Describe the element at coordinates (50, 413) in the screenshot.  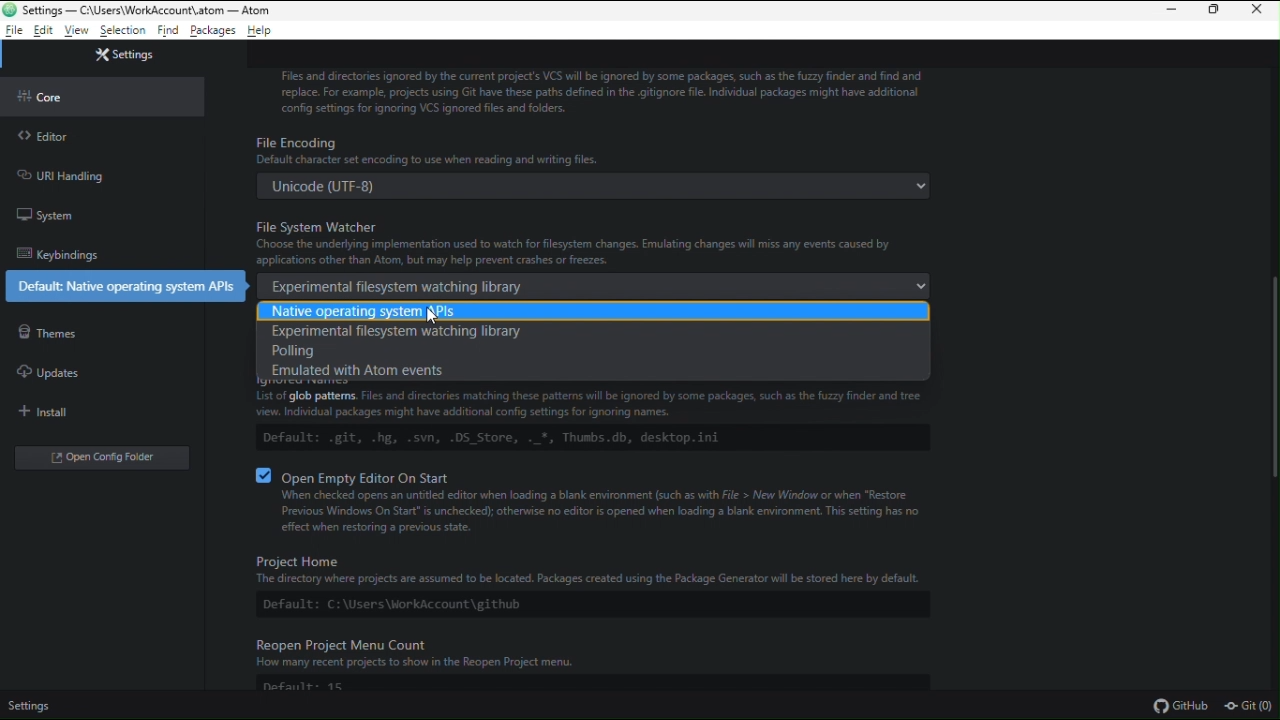
I see `install` at that location.